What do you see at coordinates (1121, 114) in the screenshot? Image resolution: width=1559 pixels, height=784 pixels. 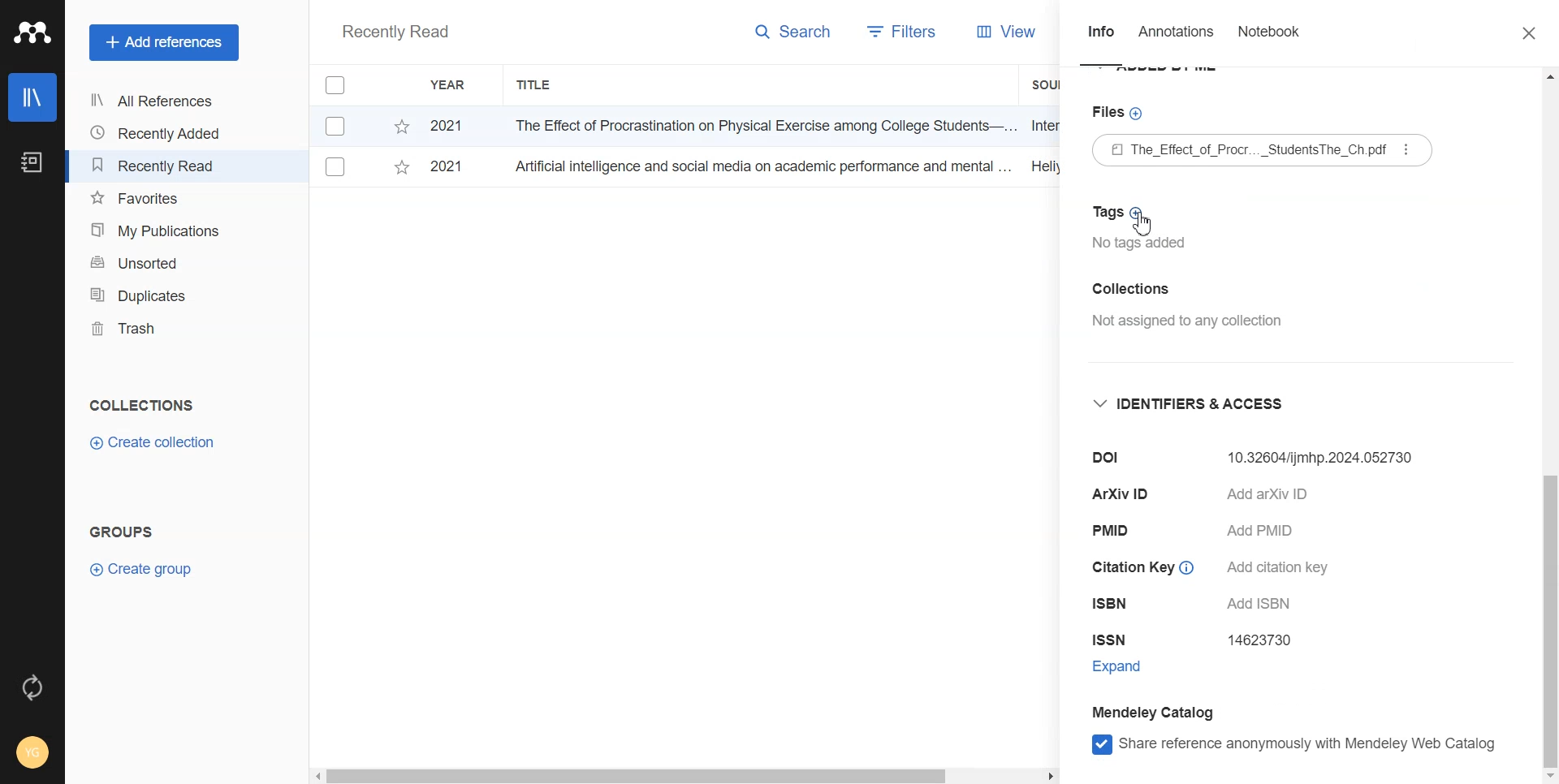 I see `Files` at bounding box center [1121, 114].